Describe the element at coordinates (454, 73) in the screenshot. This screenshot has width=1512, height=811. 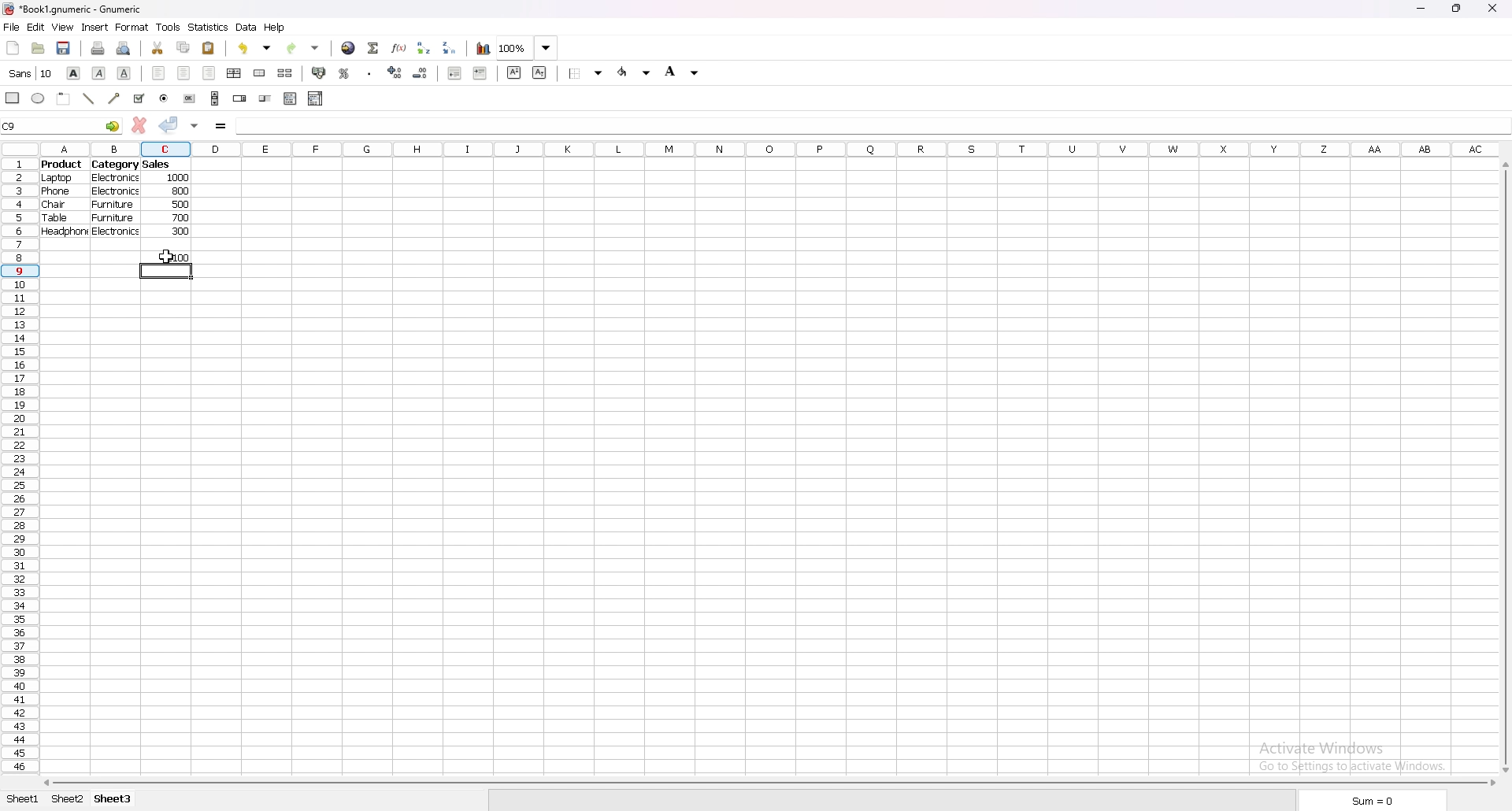
I see `decrease indent` at that location.